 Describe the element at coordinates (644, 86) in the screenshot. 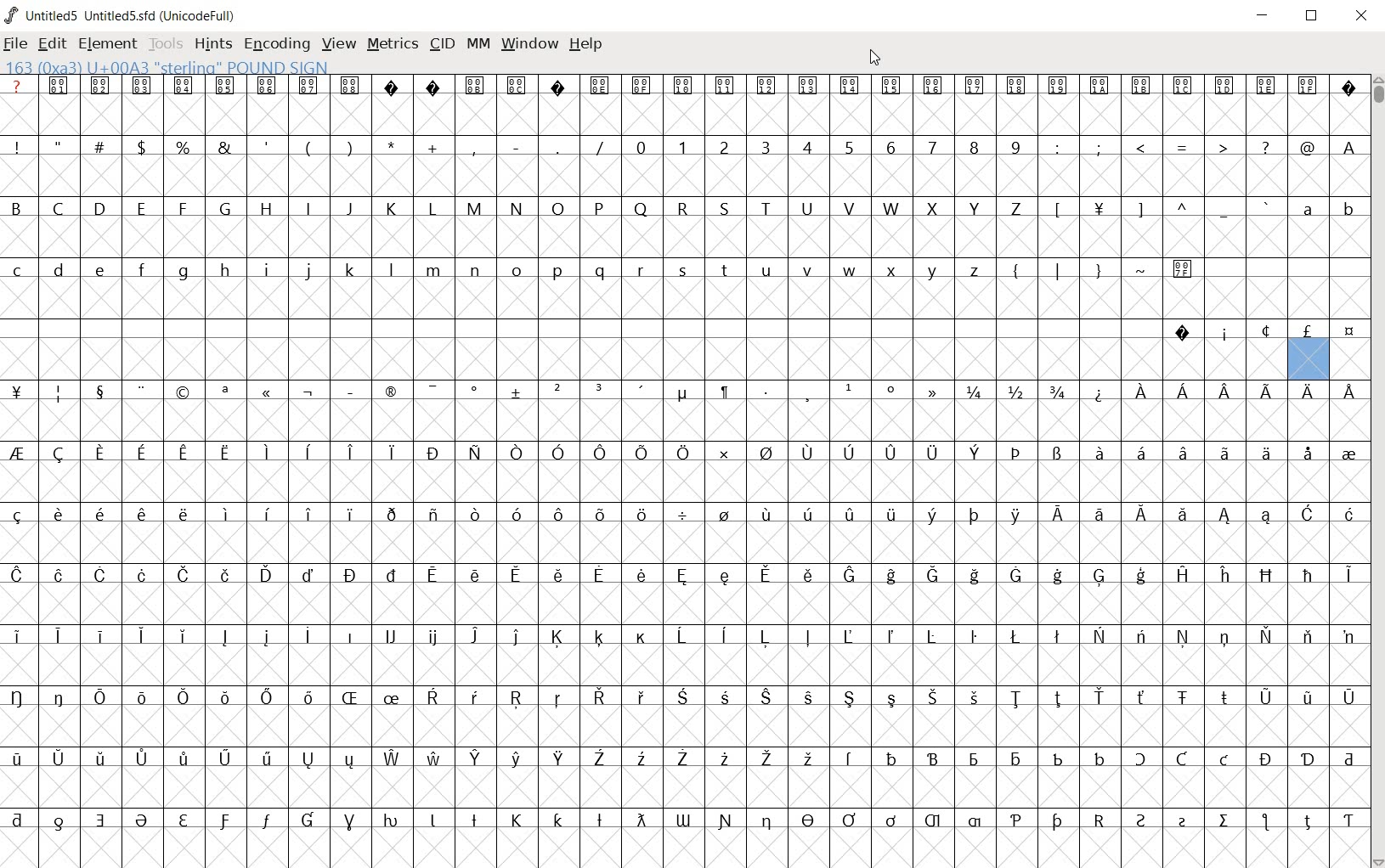

I see `Symbol` at that location.